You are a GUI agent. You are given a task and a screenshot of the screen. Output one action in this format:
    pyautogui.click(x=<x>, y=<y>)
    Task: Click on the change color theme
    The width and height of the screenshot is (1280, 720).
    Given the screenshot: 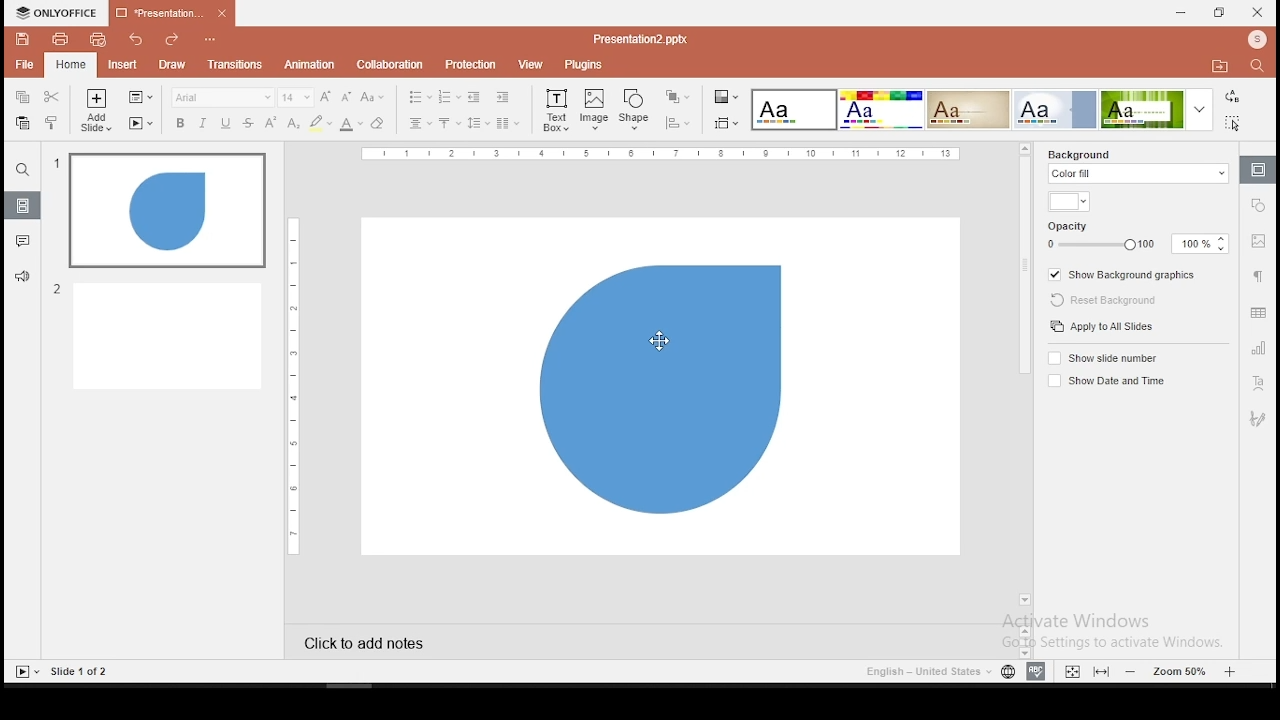 What is the action you would take?
    pyautogui.click(x=725, y=98)
    